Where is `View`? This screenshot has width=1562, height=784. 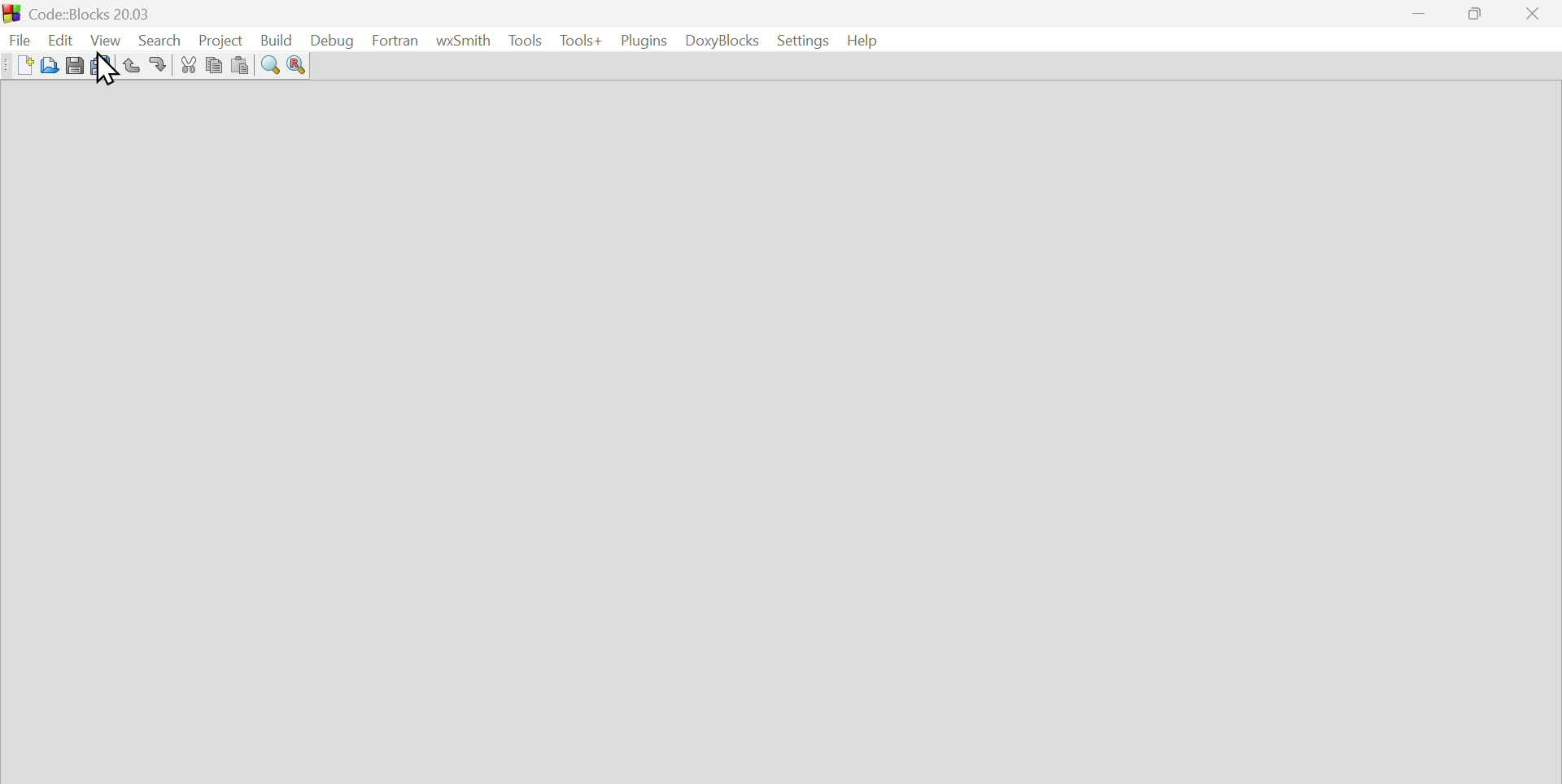
View is located at coordinates (106, 39).